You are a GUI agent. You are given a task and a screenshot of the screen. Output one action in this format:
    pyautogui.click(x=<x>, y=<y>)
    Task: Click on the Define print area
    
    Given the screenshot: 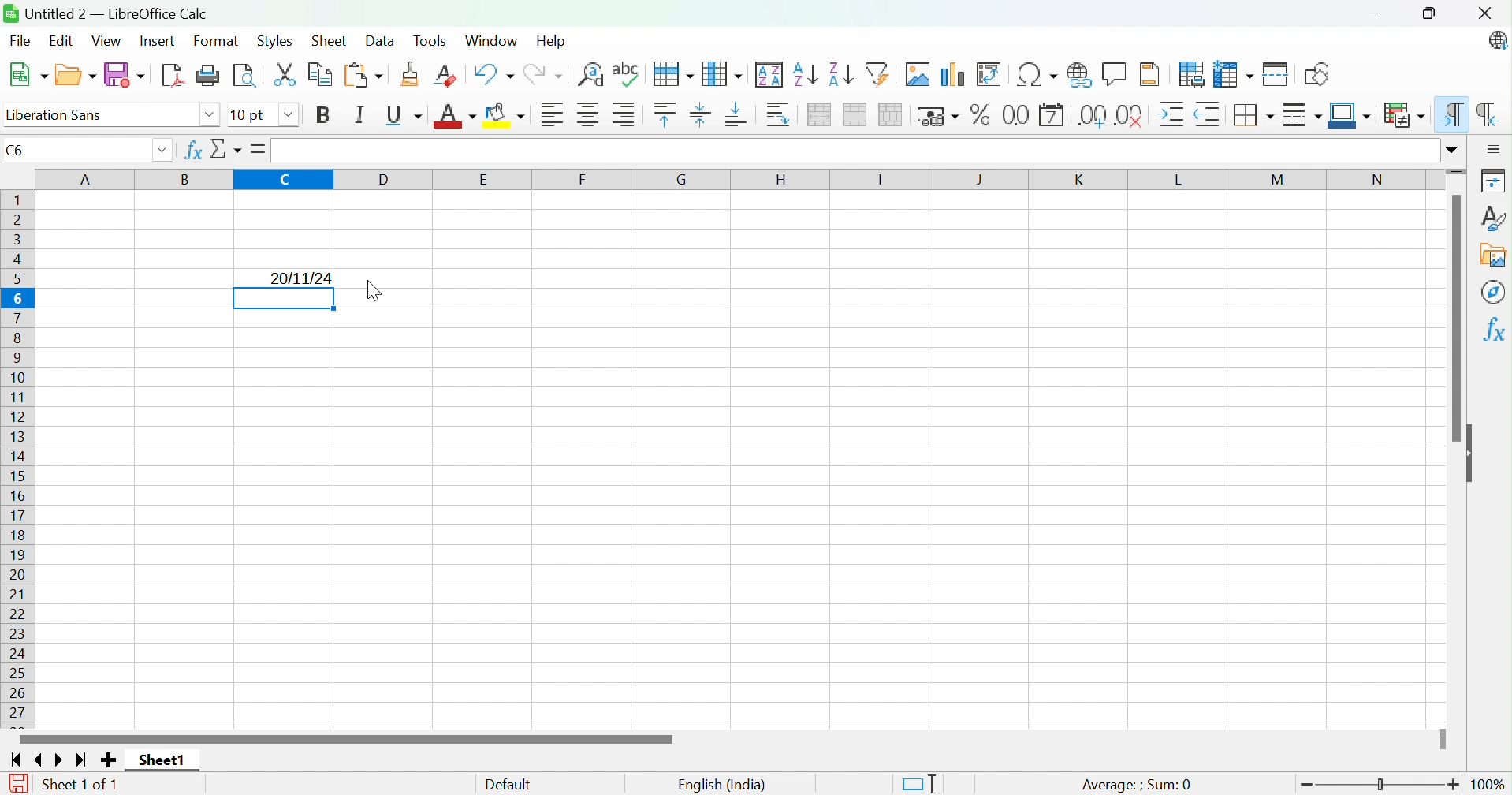 What is the action you would take?
    pyautogui.click(x=1193, y=74)
    